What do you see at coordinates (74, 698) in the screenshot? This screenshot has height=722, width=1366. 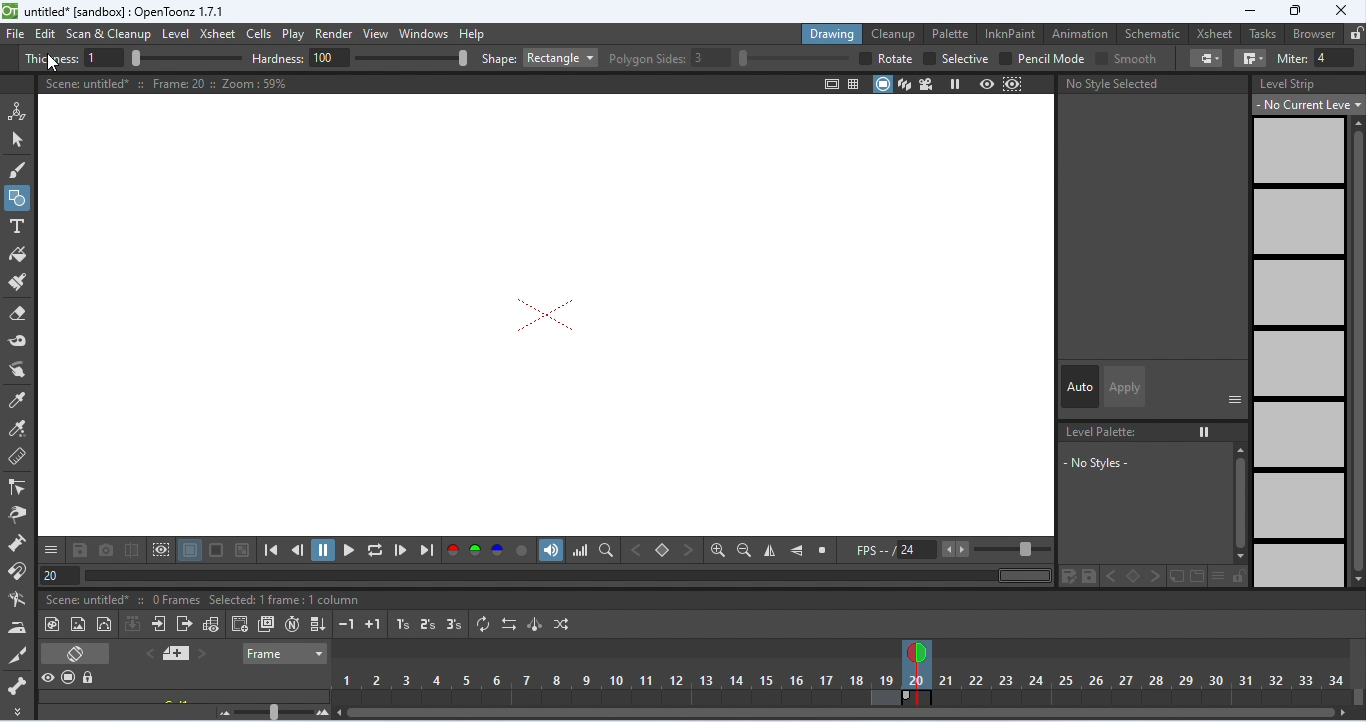 I see `camera stand visibility` at bounding box center [74, 698].